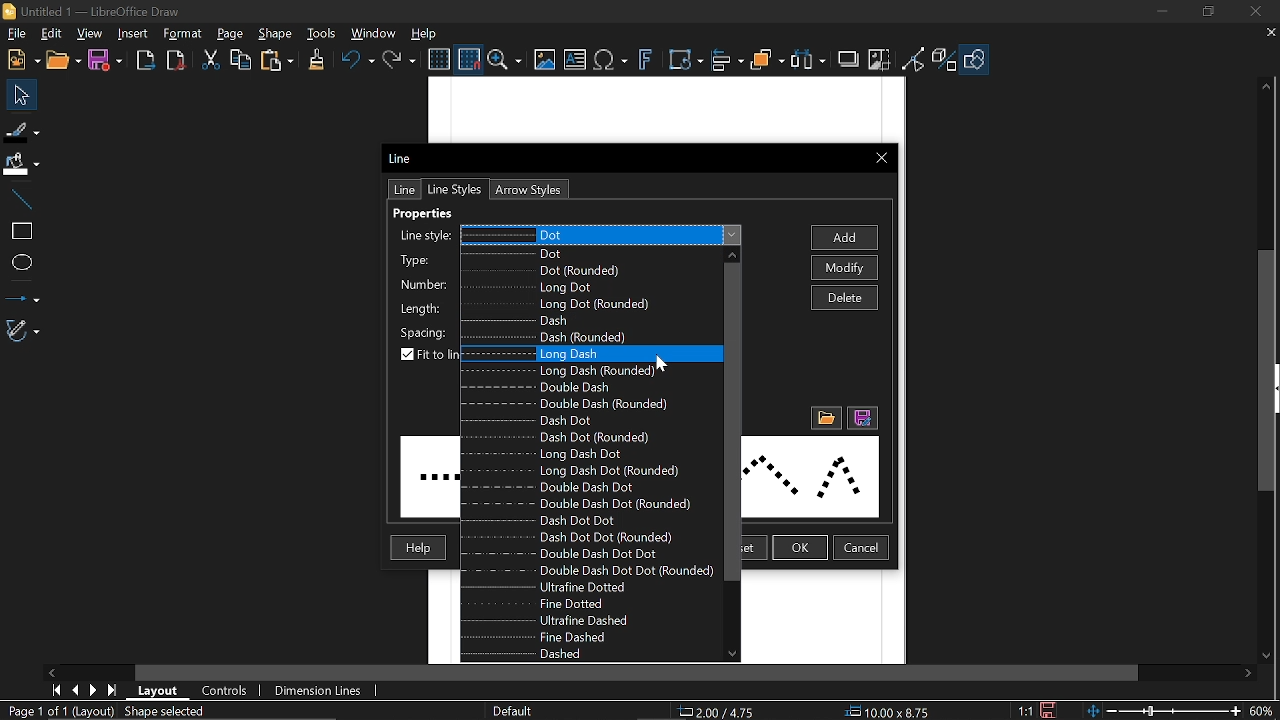 The width and height of the screenshot is (1280, 720). I want to click on Display grid, so click(439, 60).